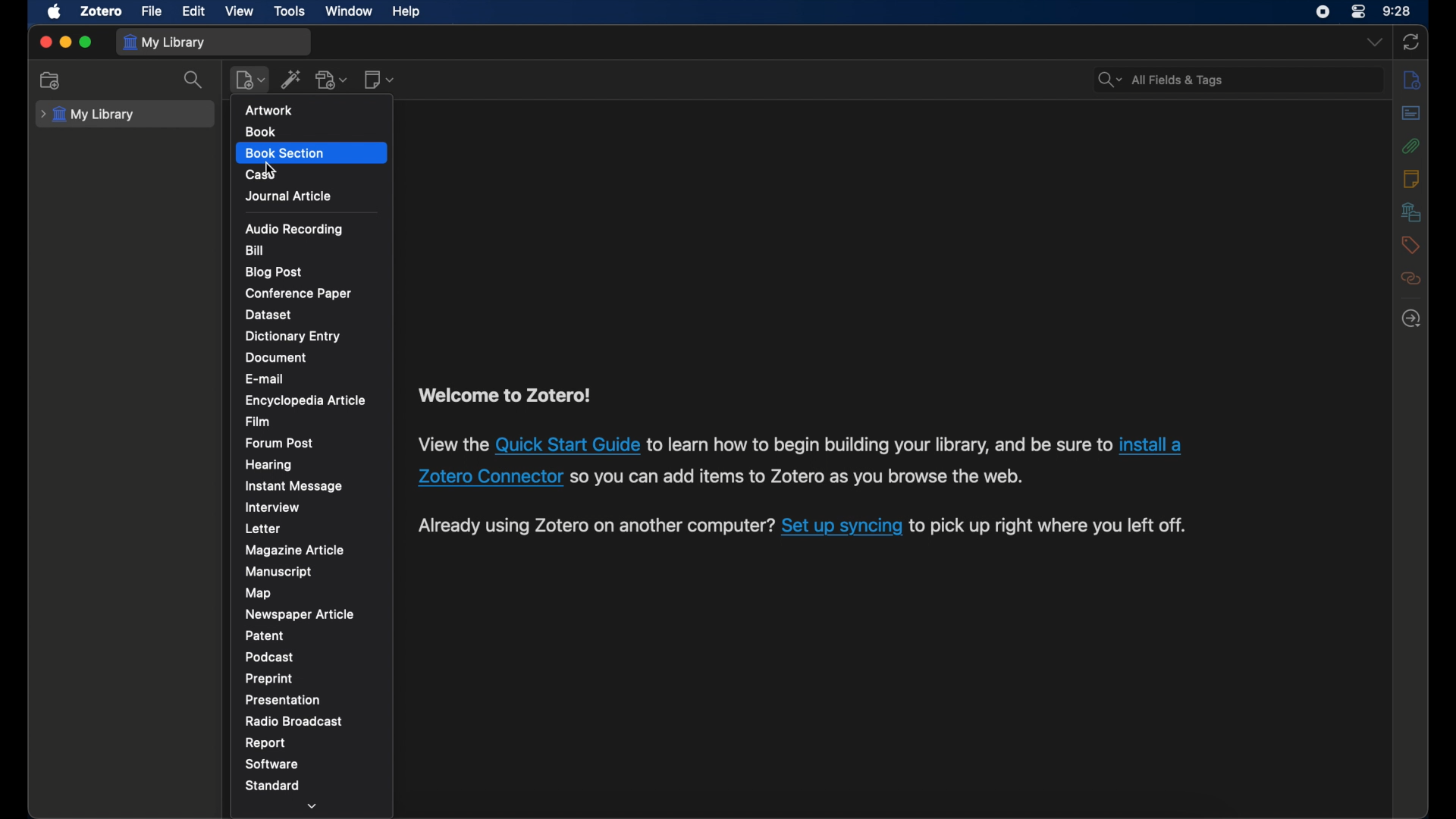 Image resolution: width=1456 pixels, height=819 pixels. What do you see at coordinates (264, 529) in the screenshot?
I see `letter` at bounding box center [264, 529].